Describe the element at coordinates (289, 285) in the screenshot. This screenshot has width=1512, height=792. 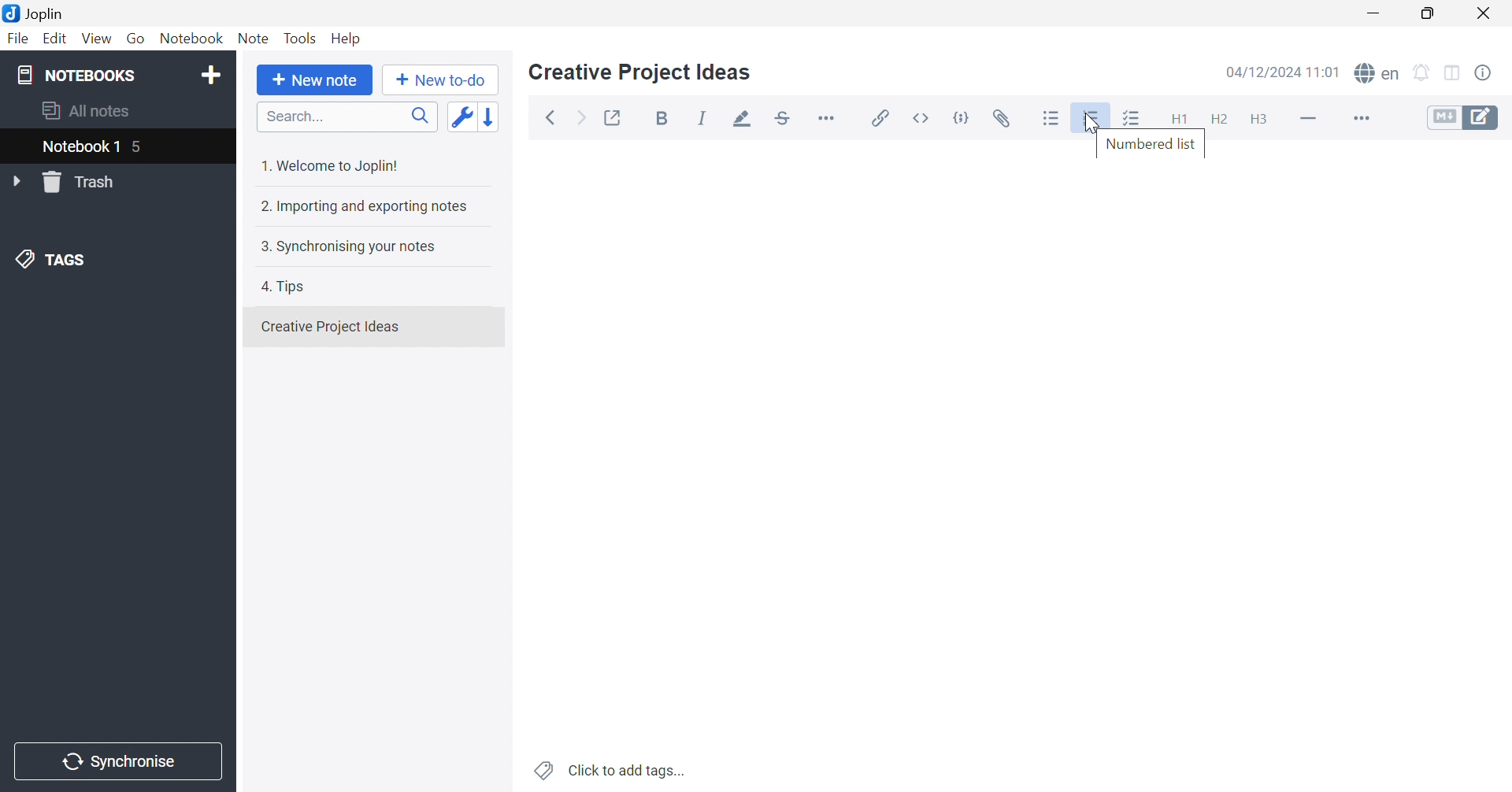
I see `4. Tips` at that location.